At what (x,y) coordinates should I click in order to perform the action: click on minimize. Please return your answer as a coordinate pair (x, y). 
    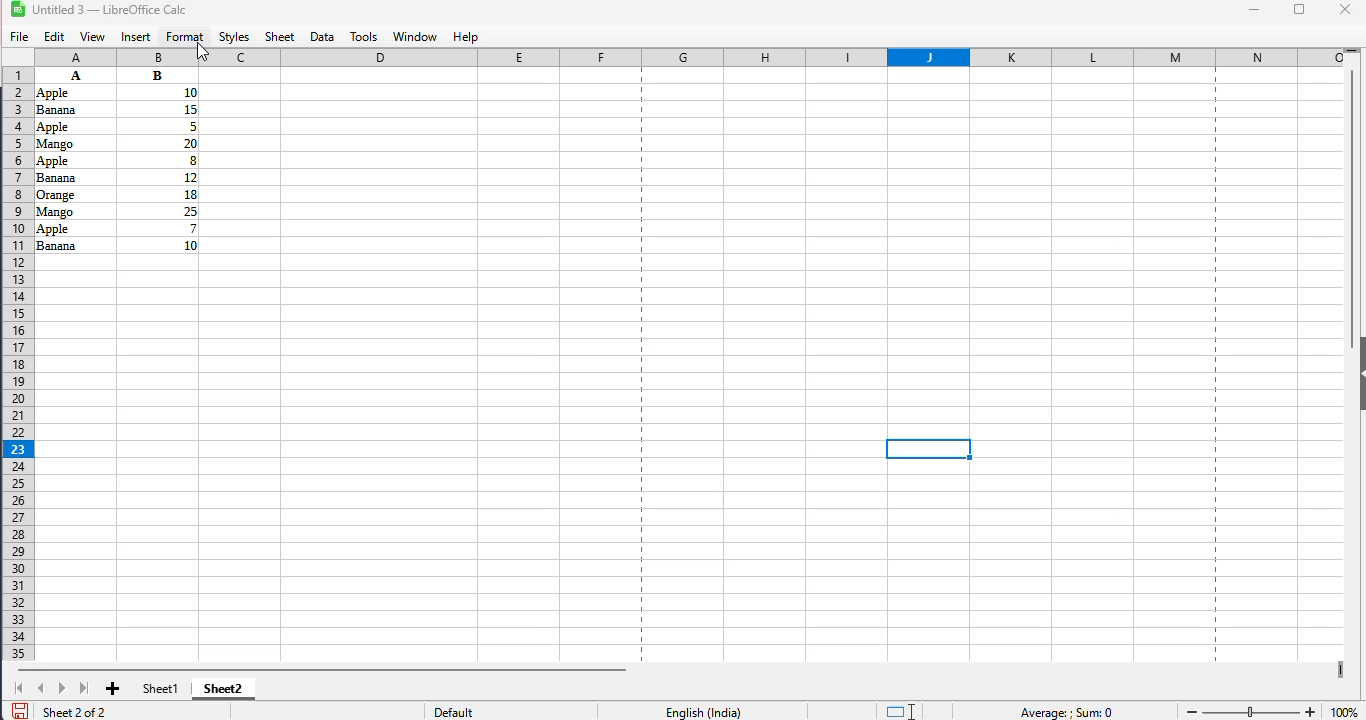
    Looking at the image, I should click on (1254, 10).